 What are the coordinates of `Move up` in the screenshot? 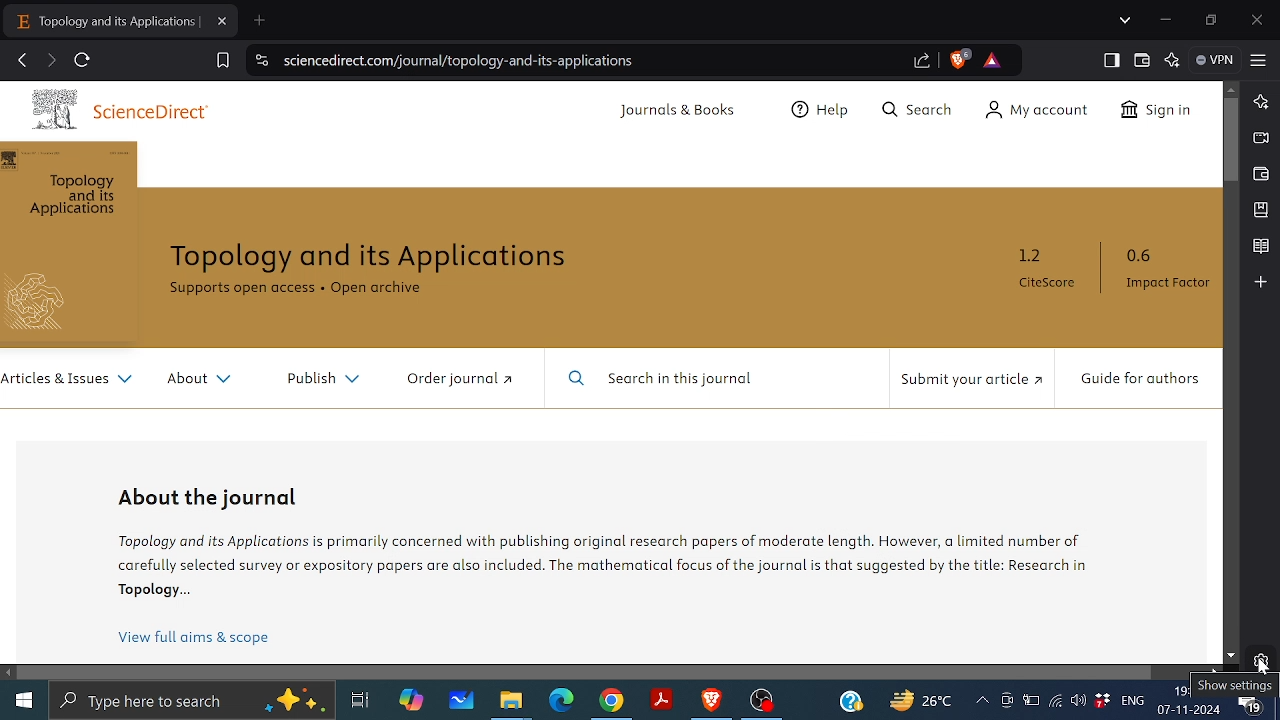 It's located at (1232, 88).